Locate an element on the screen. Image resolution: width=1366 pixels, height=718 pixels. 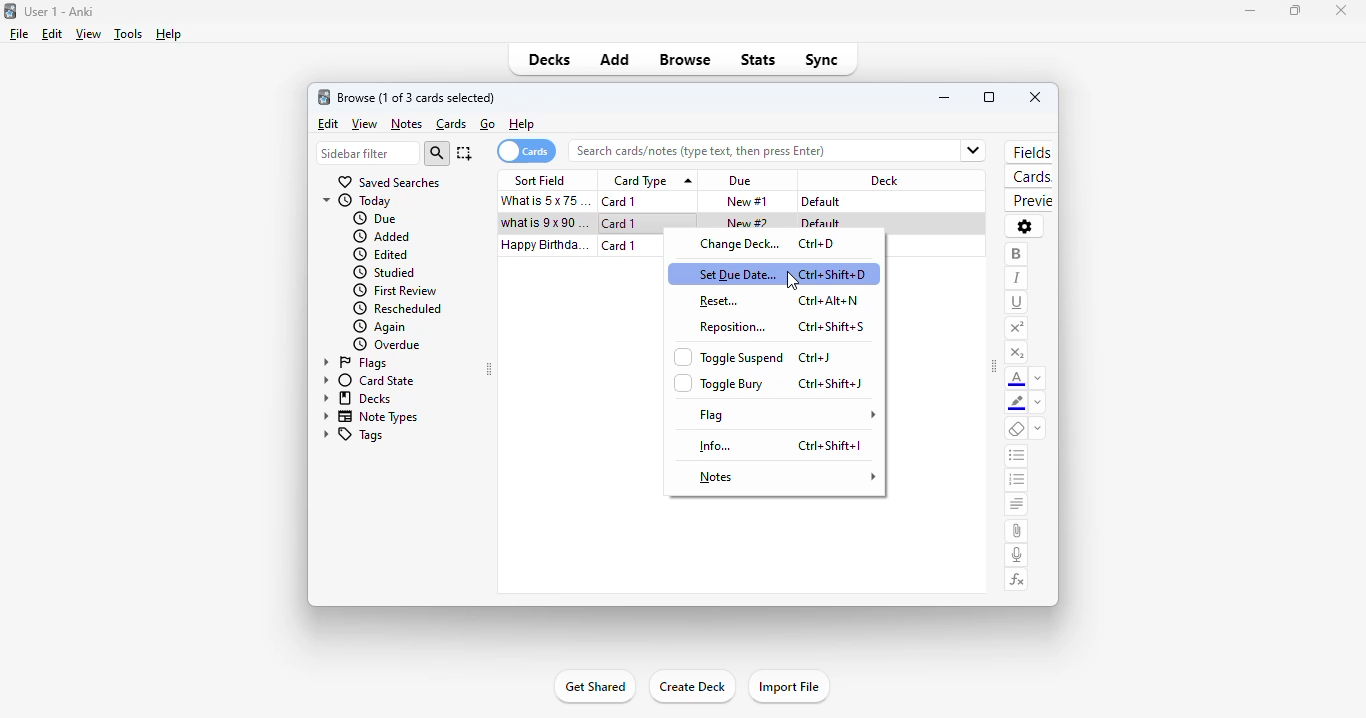
logo is located at coordinates (323, 97).